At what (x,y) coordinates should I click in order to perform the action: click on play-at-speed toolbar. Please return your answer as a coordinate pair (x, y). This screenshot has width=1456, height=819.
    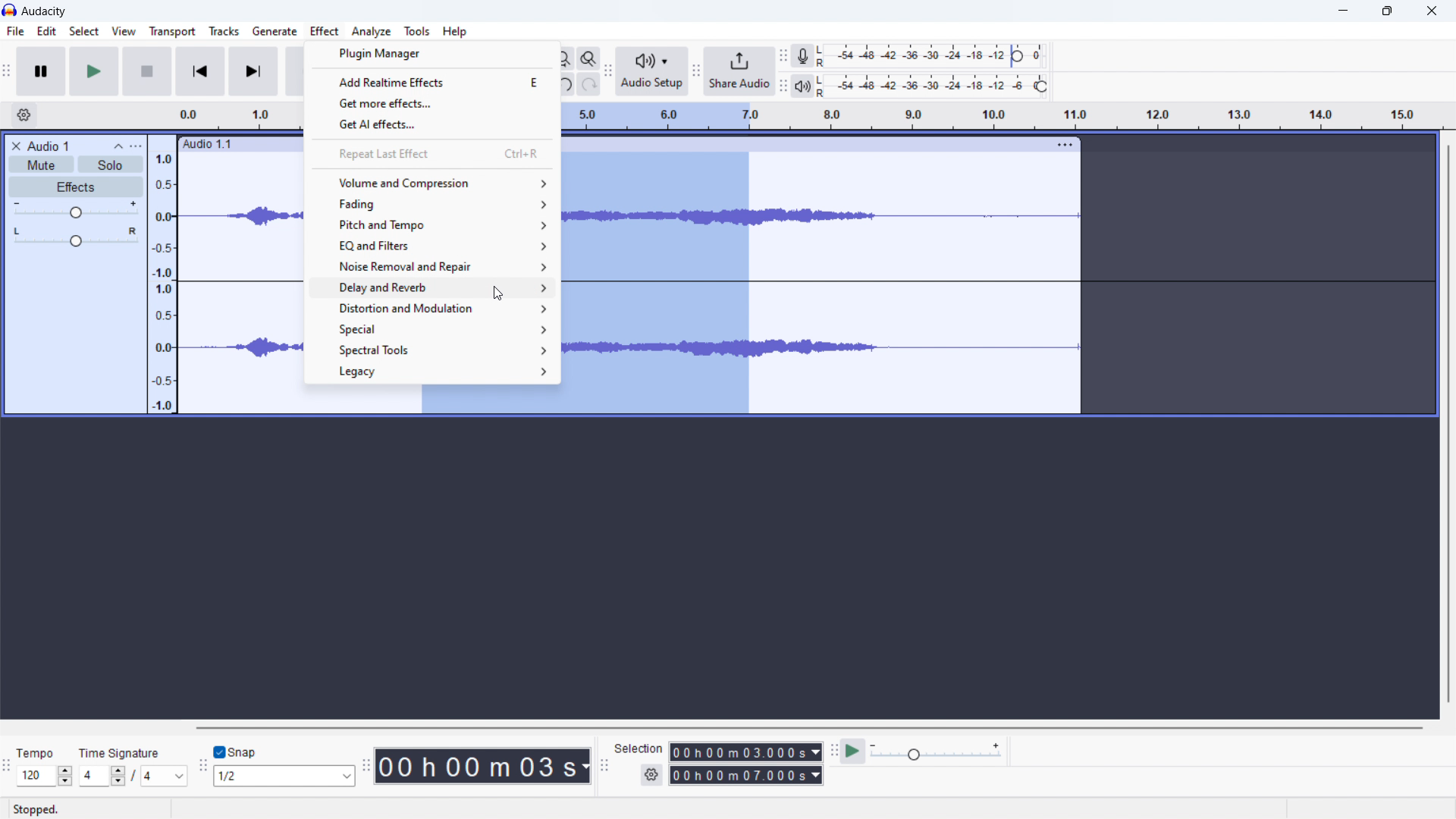
    Looking at the image, I should click on (835, 750).